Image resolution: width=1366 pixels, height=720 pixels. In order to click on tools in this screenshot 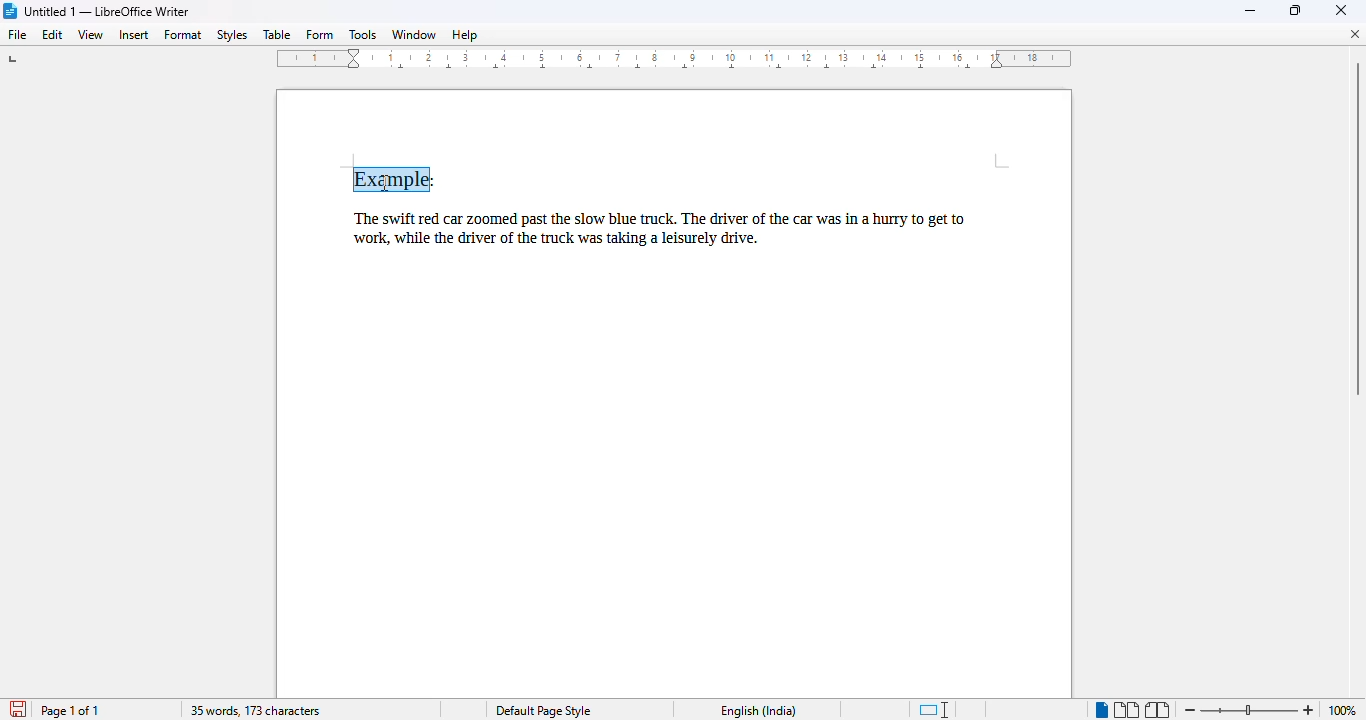, I will do `click(363, 34)`.